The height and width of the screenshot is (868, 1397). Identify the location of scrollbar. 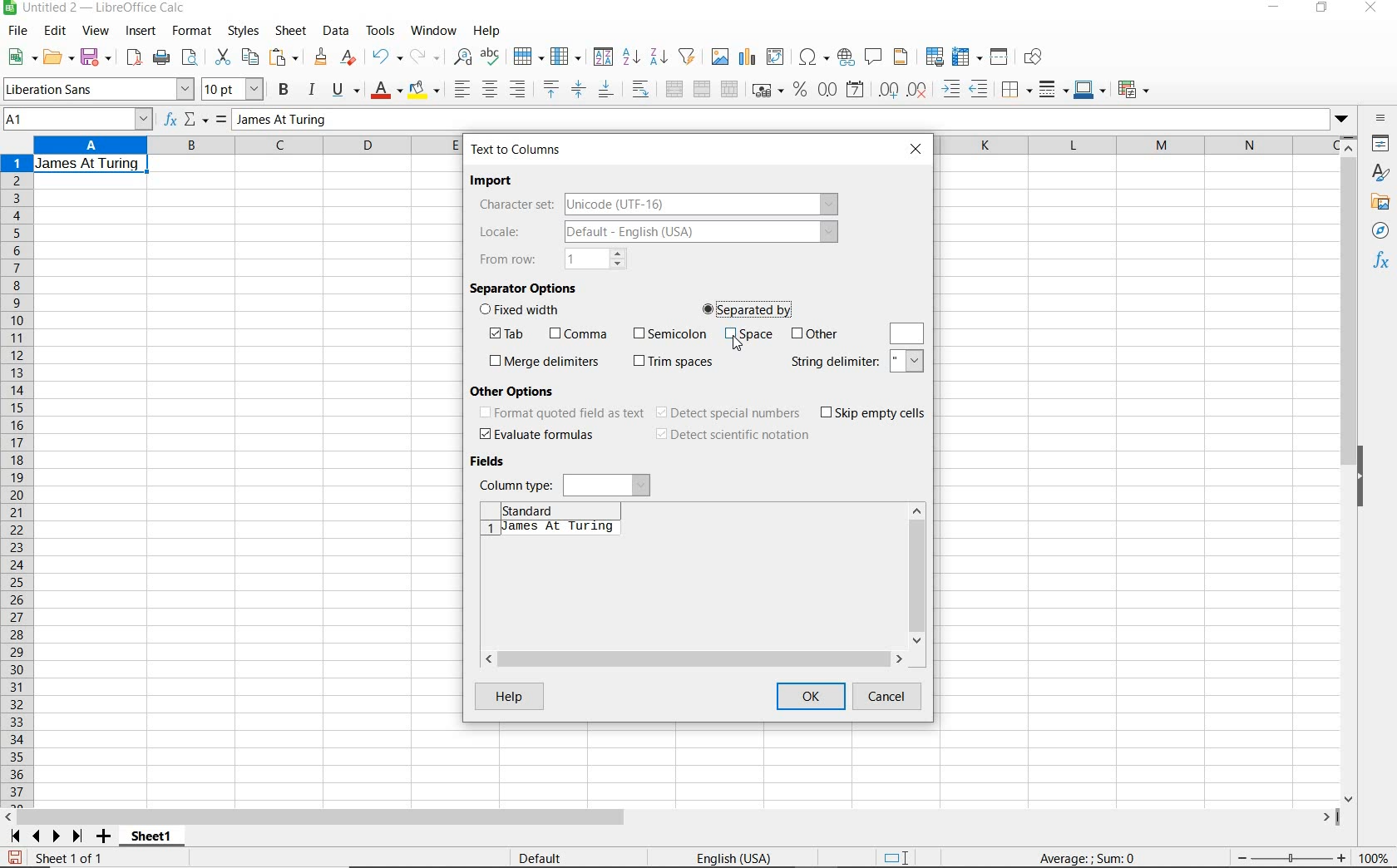
(1350, 469).